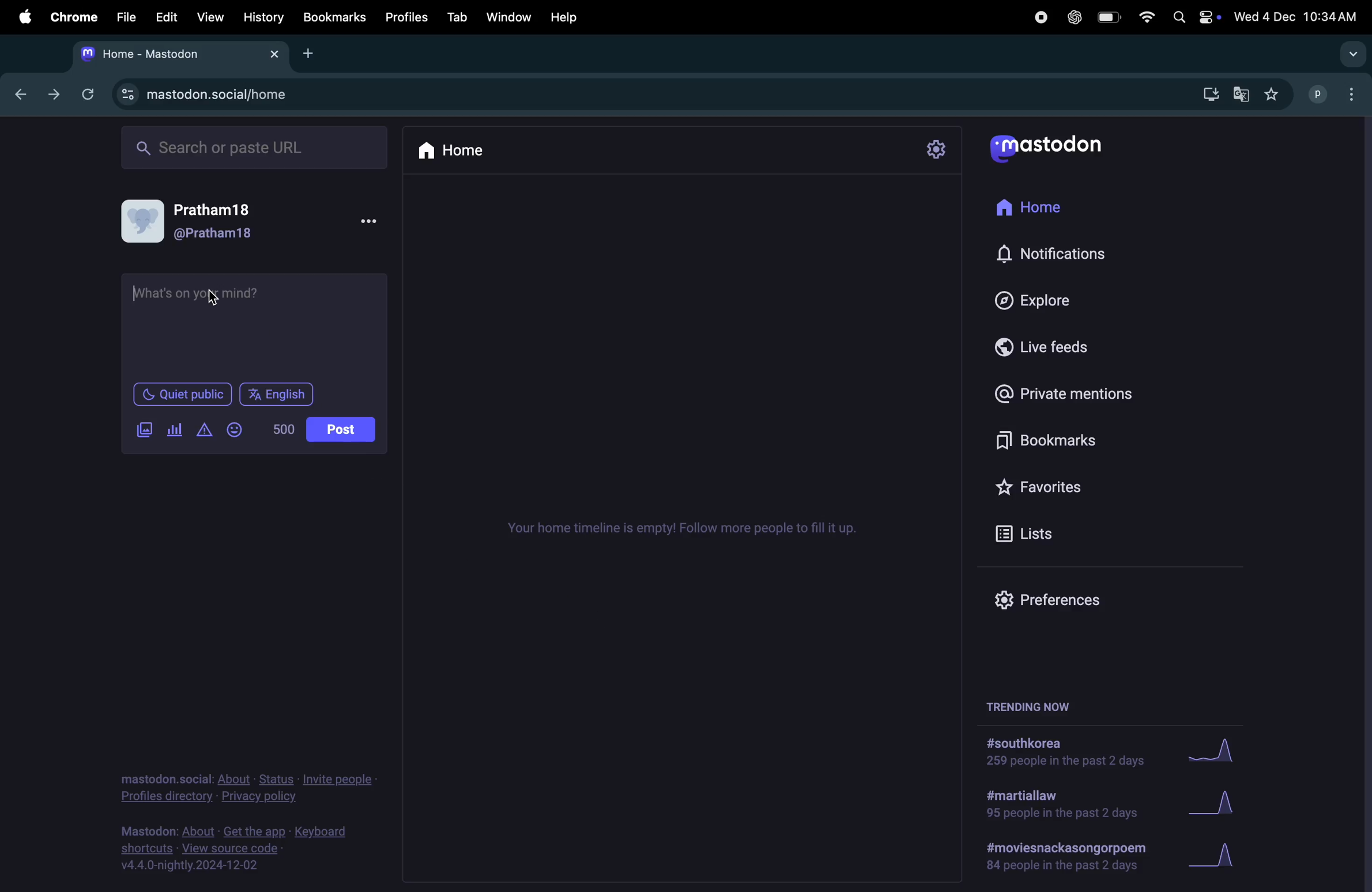 This screenshot has height=892, width=1372. Describe the element at coordinates (209, 16) in the screenshot. I see `View` at that location.